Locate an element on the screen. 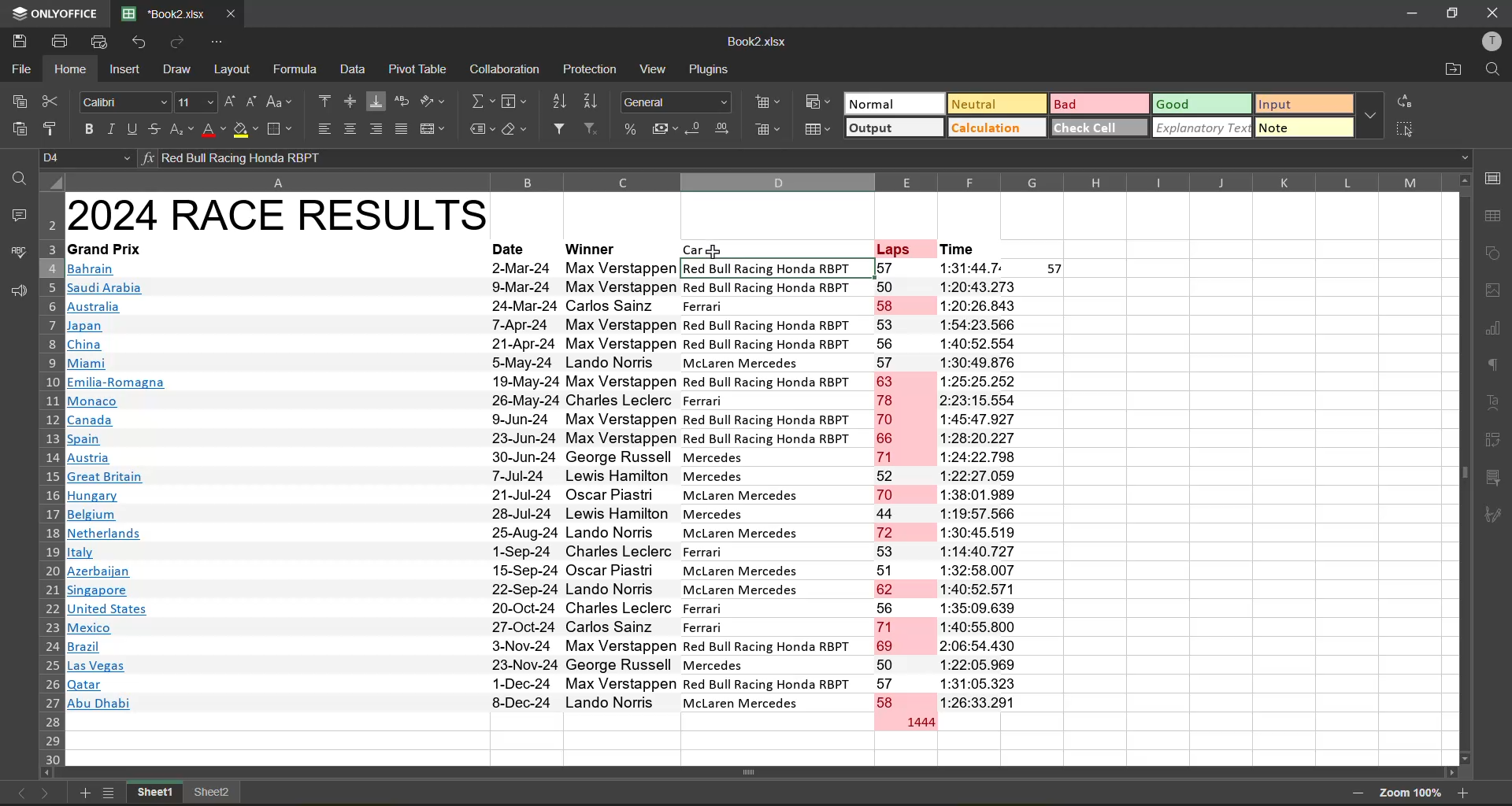  sort ascending is located at coordinates (557, 100).